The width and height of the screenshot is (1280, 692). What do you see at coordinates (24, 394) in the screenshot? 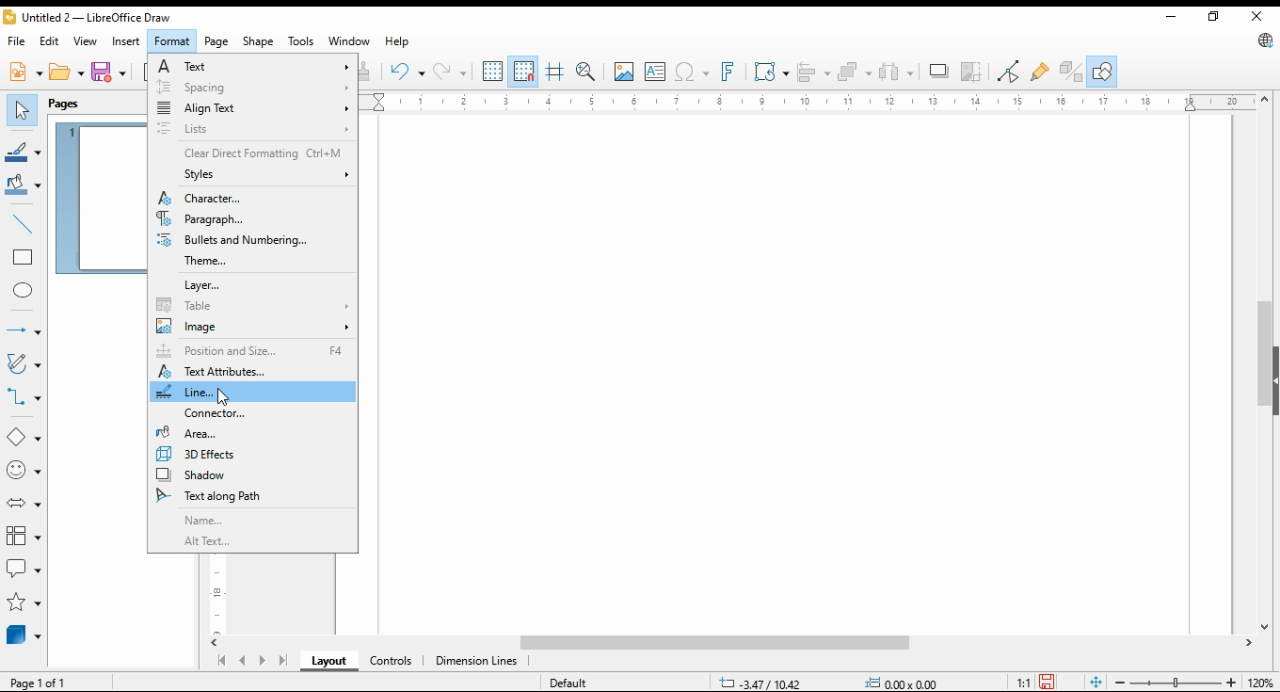
I see `connectors` at bounding box center [24, 394].